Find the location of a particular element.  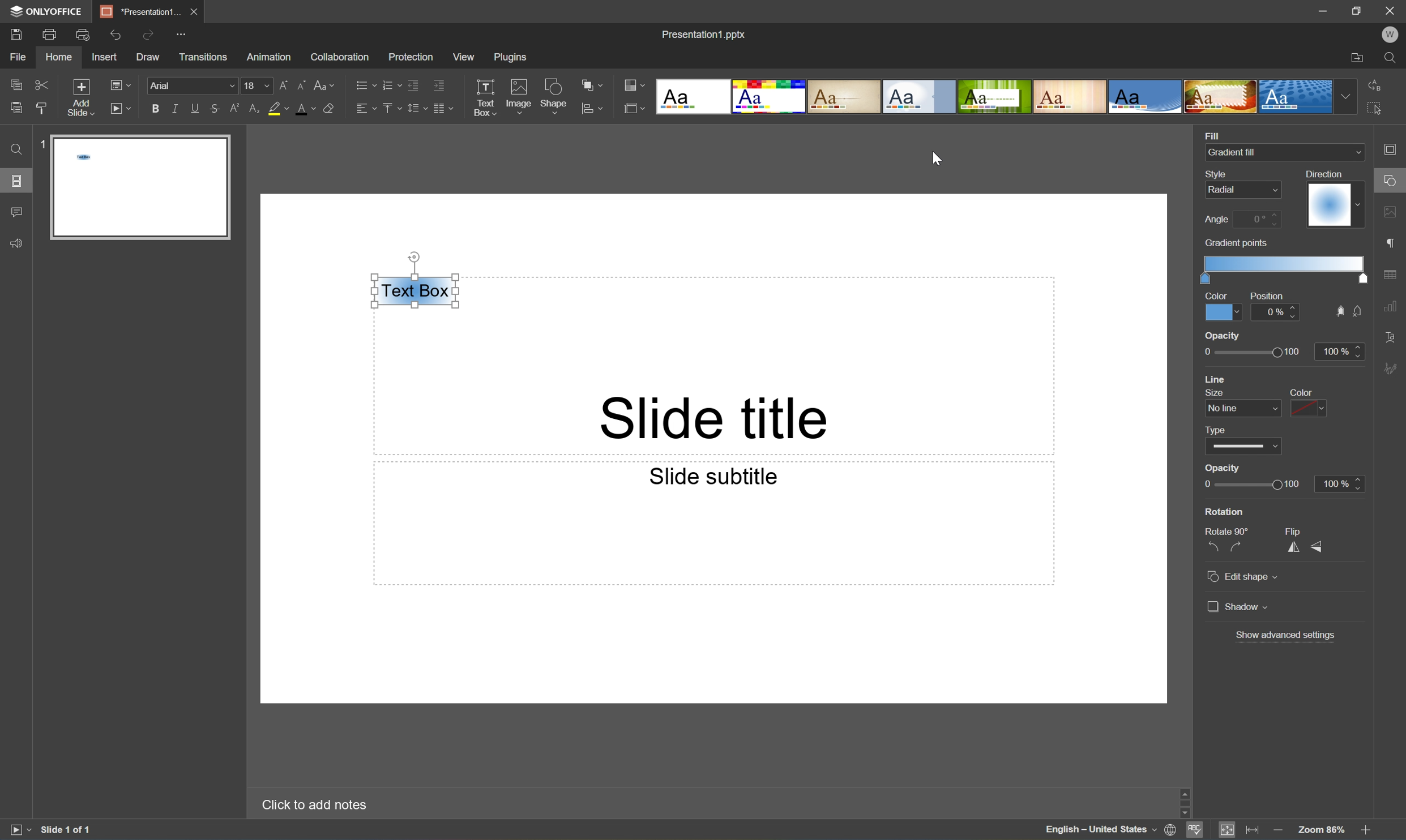

English - United States is located at coordinates (1097, 830).